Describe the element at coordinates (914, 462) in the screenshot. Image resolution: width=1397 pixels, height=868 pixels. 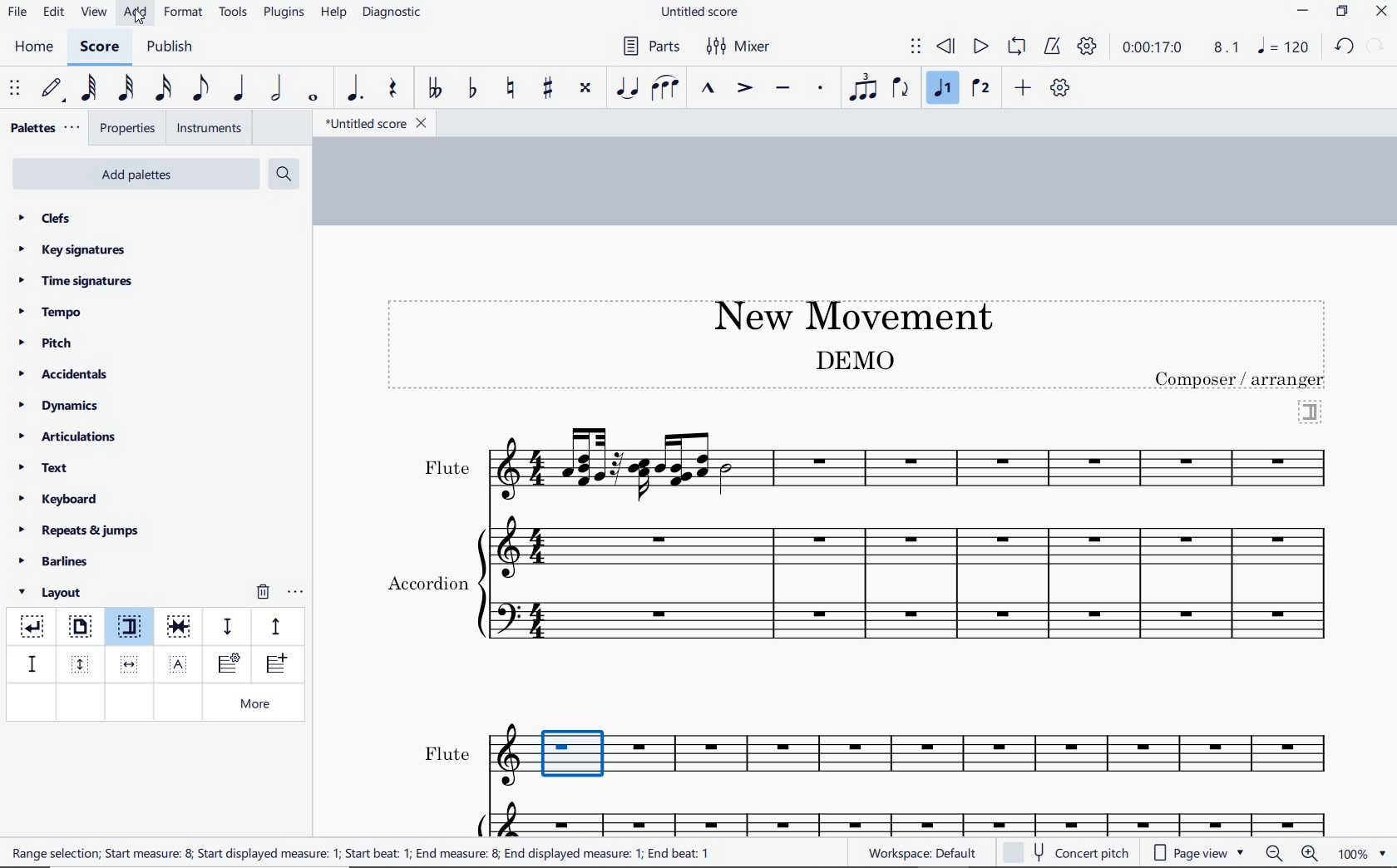
I see `Instrument: Flute` at that location.